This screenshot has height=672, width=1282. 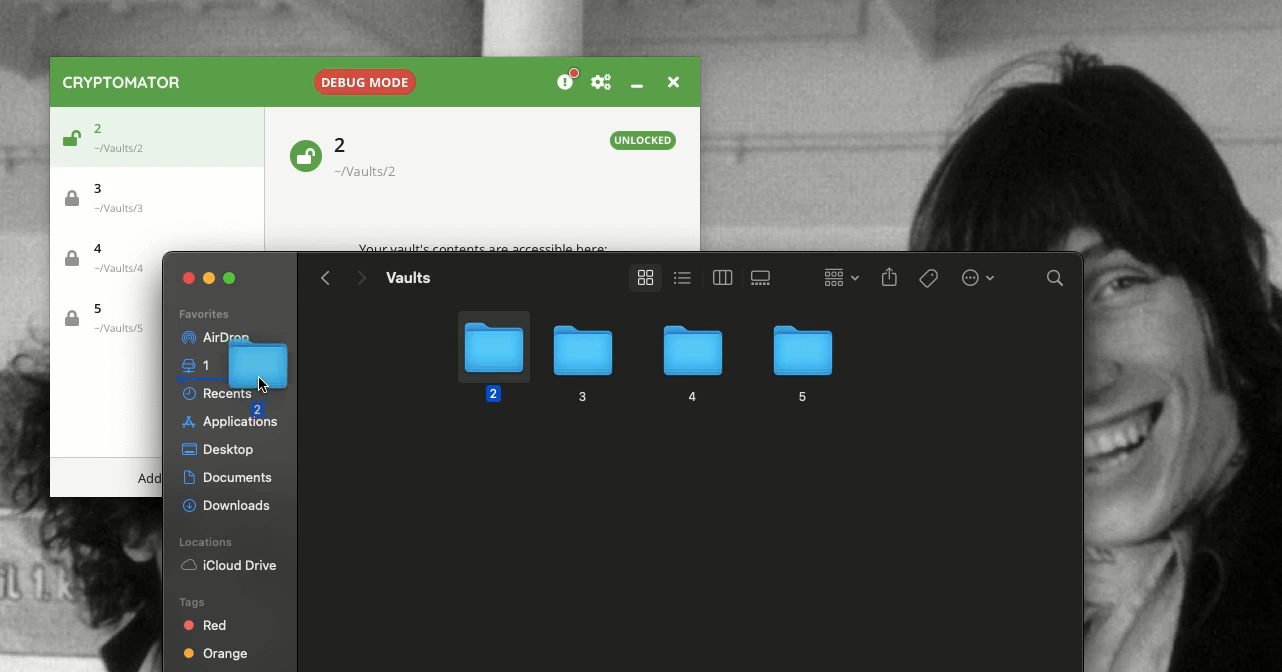 I want to click on Downloads, so click(x=229, y=503).